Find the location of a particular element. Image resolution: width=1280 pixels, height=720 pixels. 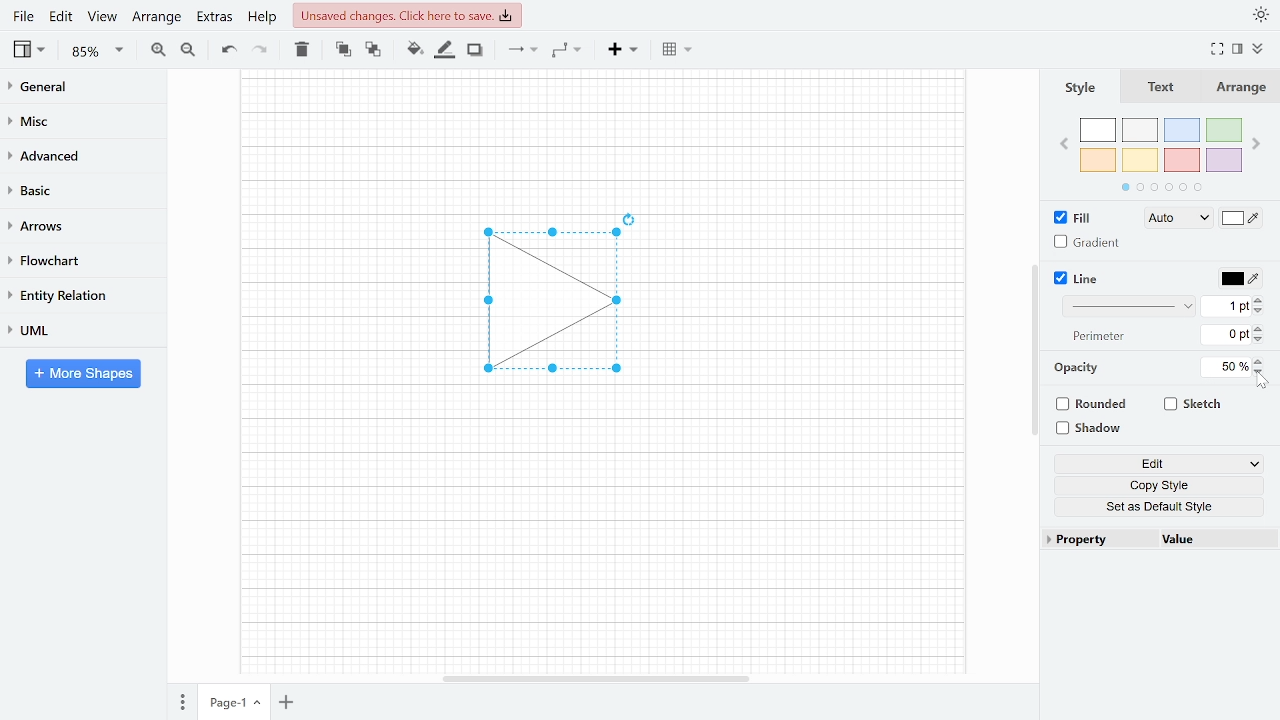

Extras is located at coordinates (212, 16).